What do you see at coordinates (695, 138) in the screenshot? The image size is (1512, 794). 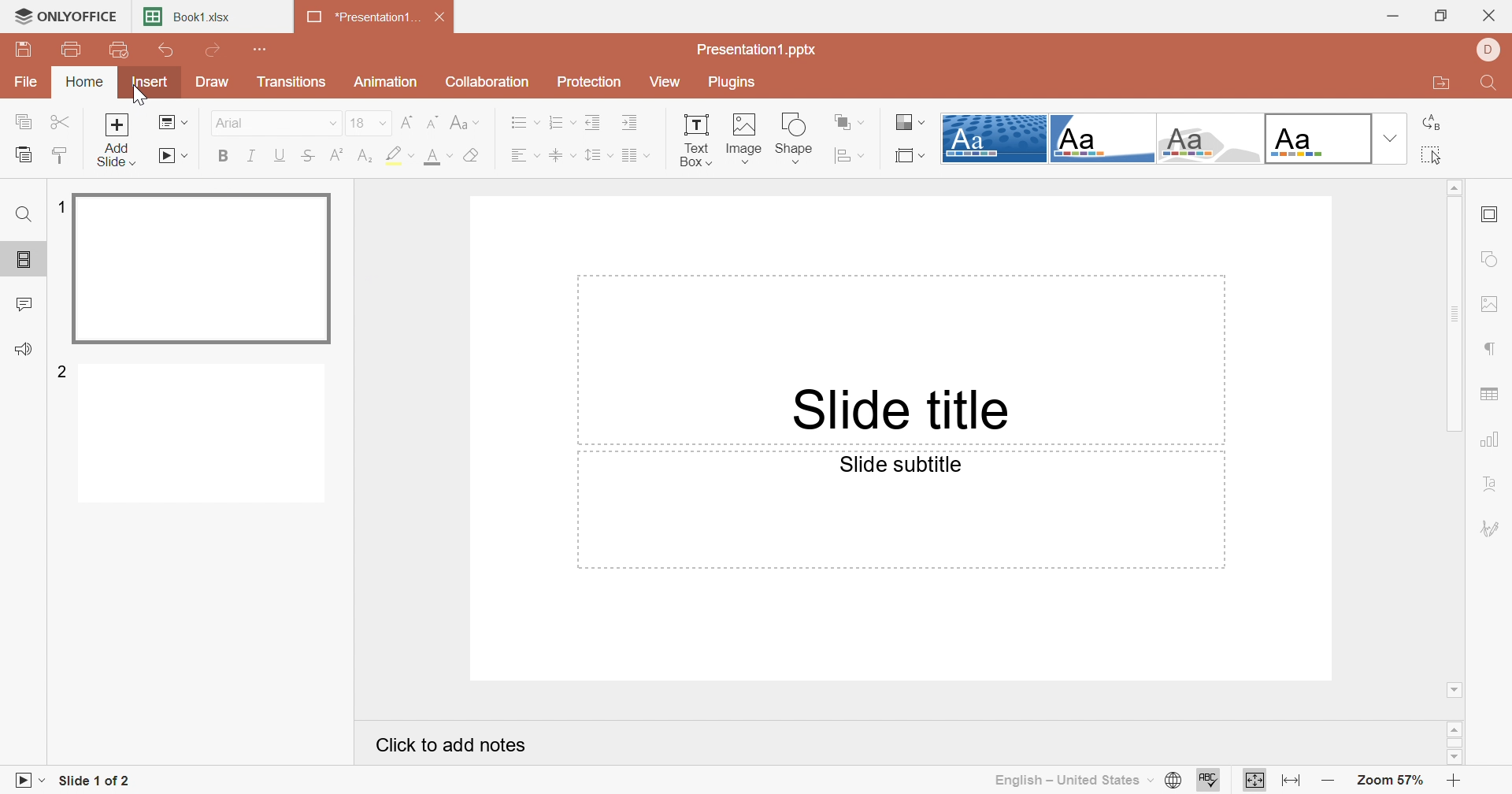 I see `Text Box` at bounding box center [695, 138].